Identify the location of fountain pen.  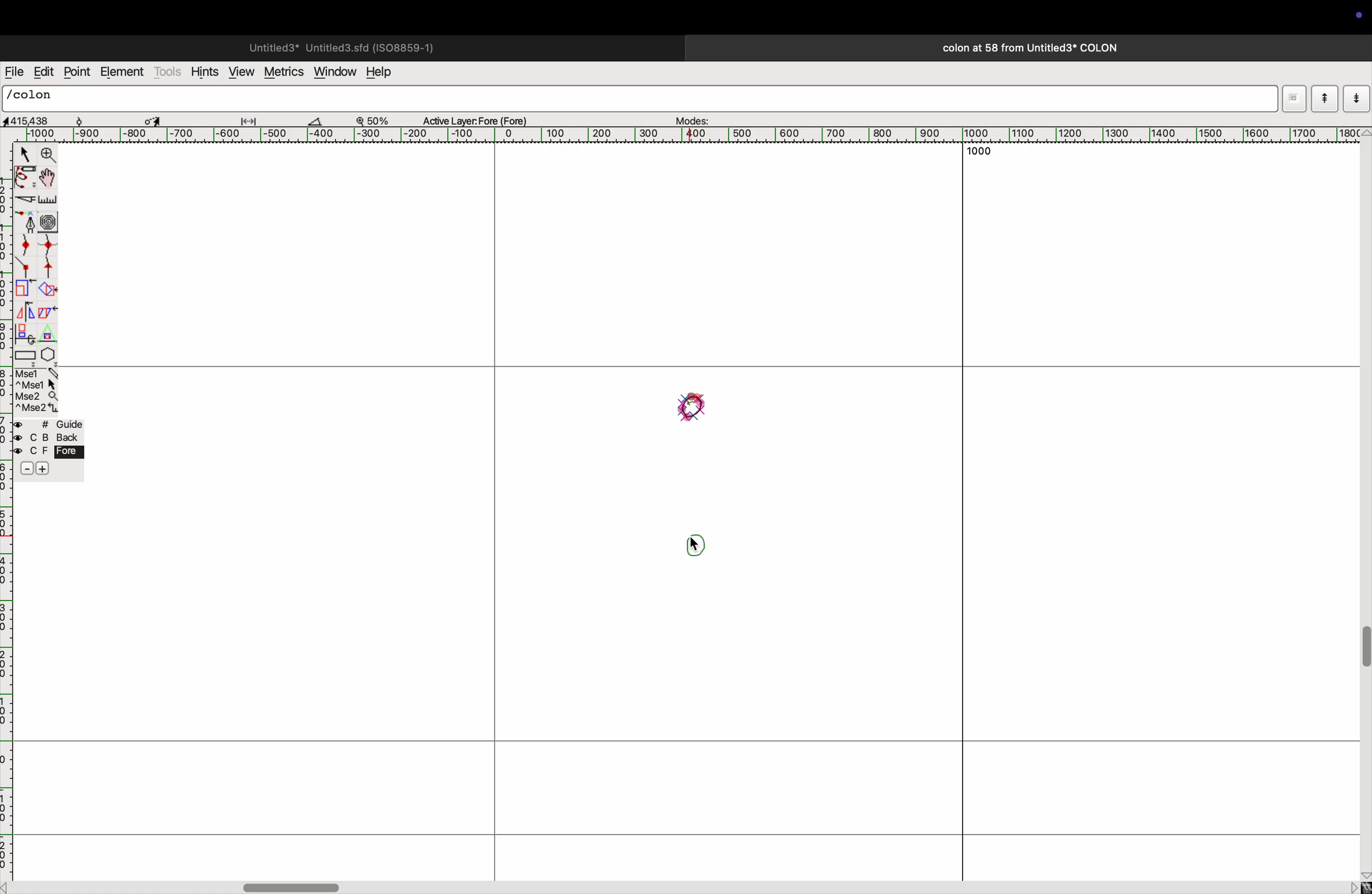
(26, 221).